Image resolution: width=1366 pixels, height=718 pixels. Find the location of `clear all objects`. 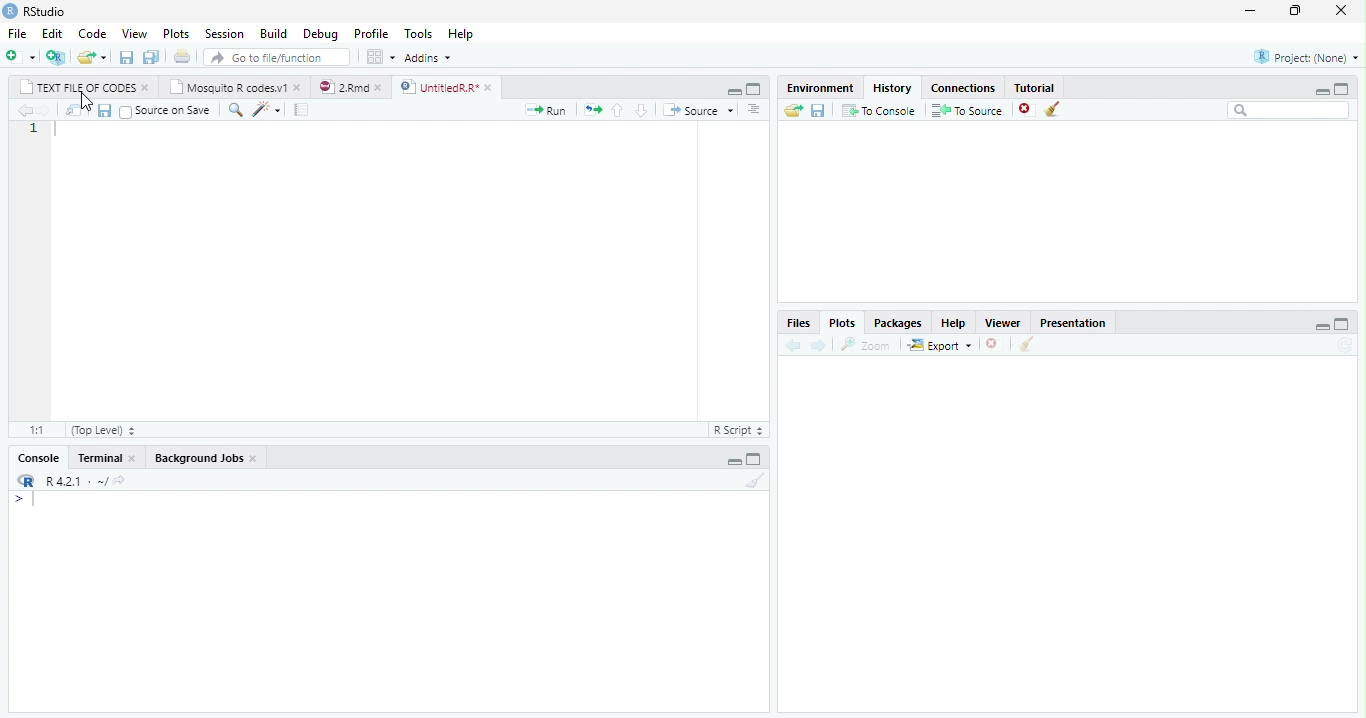

clear all objects is located at coordinates (1053, 110).